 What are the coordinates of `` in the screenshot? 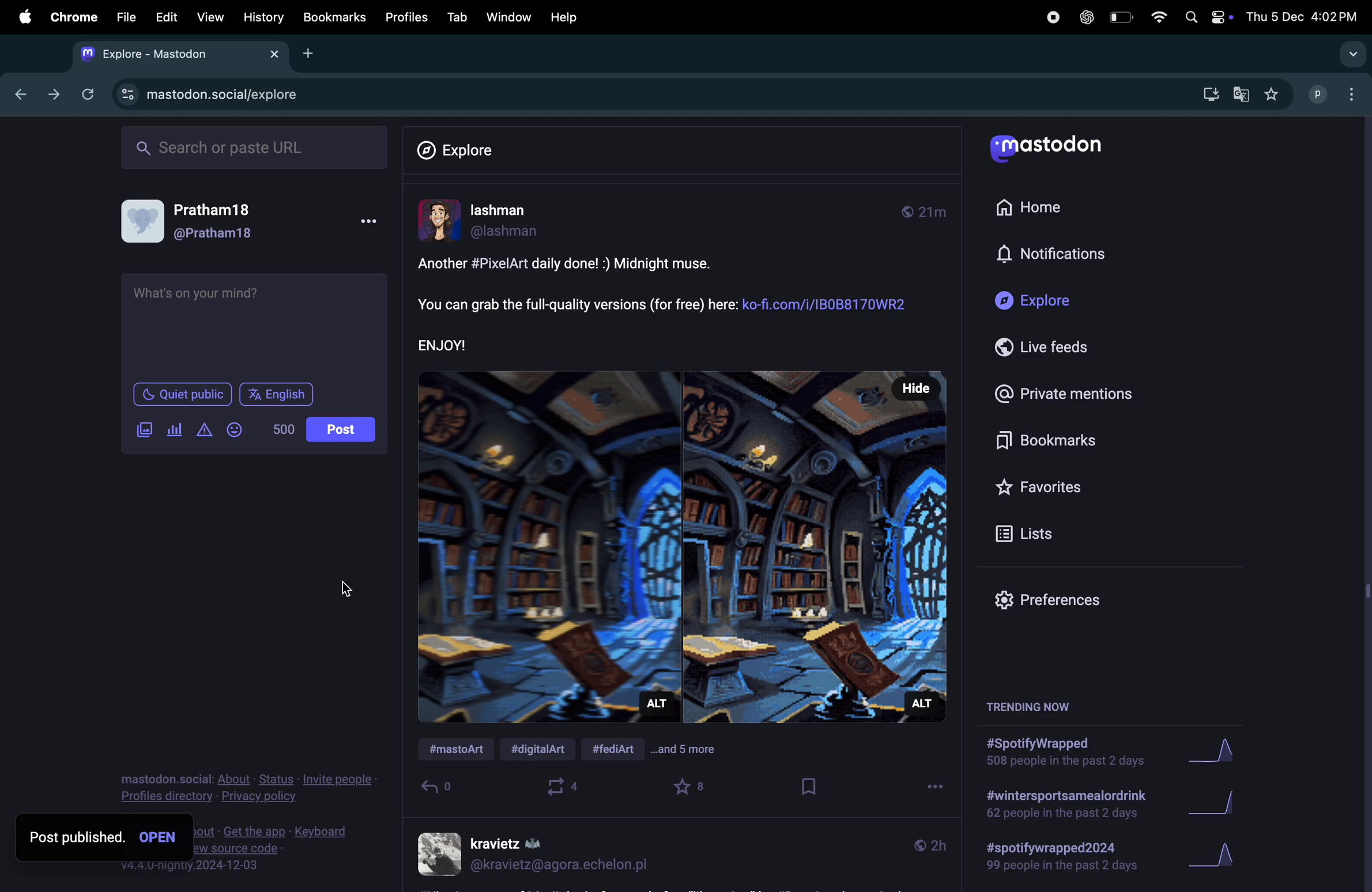 It's located at (205, 225).